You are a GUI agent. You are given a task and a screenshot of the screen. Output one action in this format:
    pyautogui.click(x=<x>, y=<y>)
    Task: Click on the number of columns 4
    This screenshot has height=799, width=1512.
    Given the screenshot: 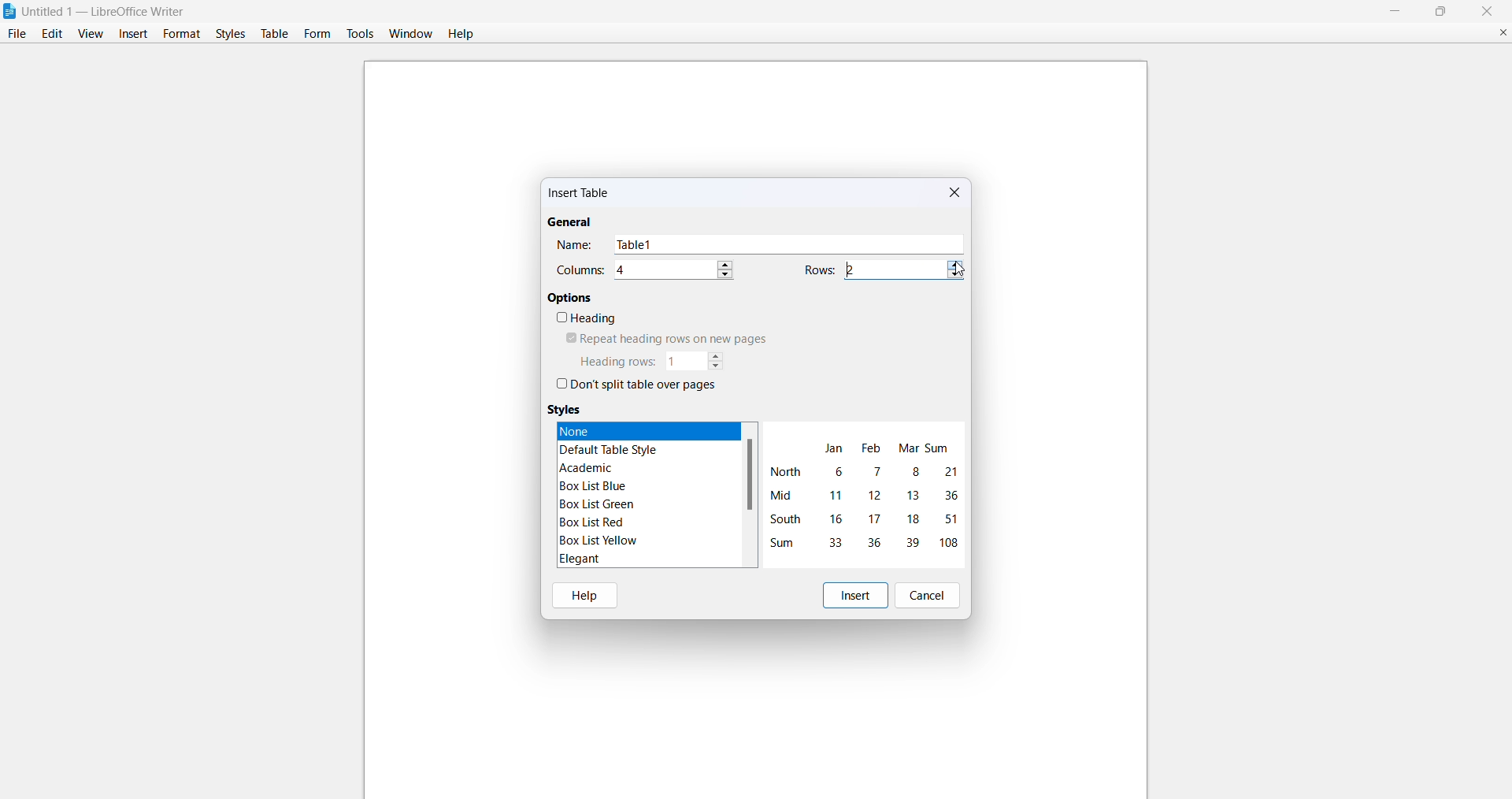 What is the action you would take?
    pyautogui.click(x=663, y=270)
    